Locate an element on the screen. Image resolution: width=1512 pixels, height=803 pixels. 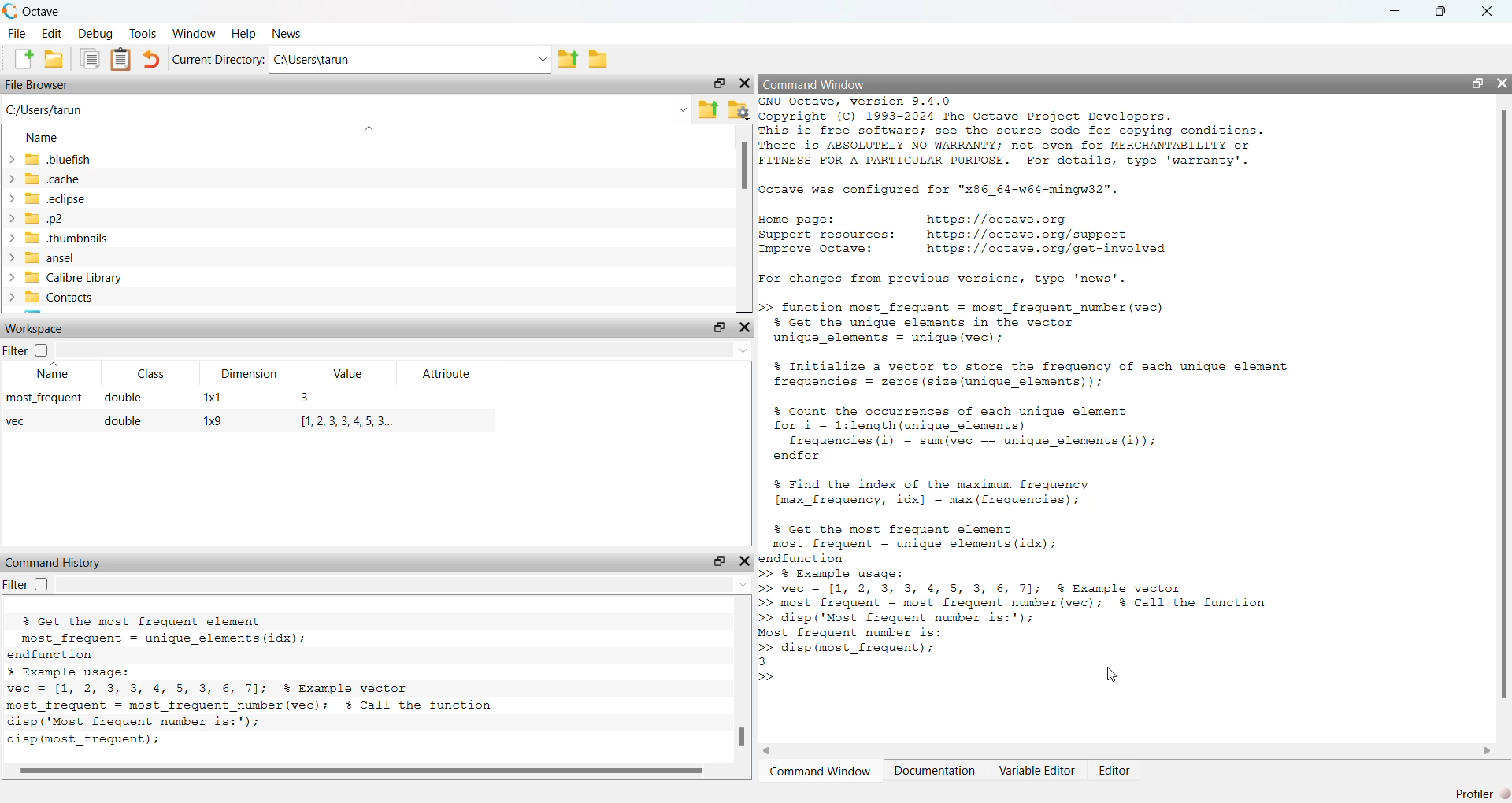
double is located at coordinates (124, 421).